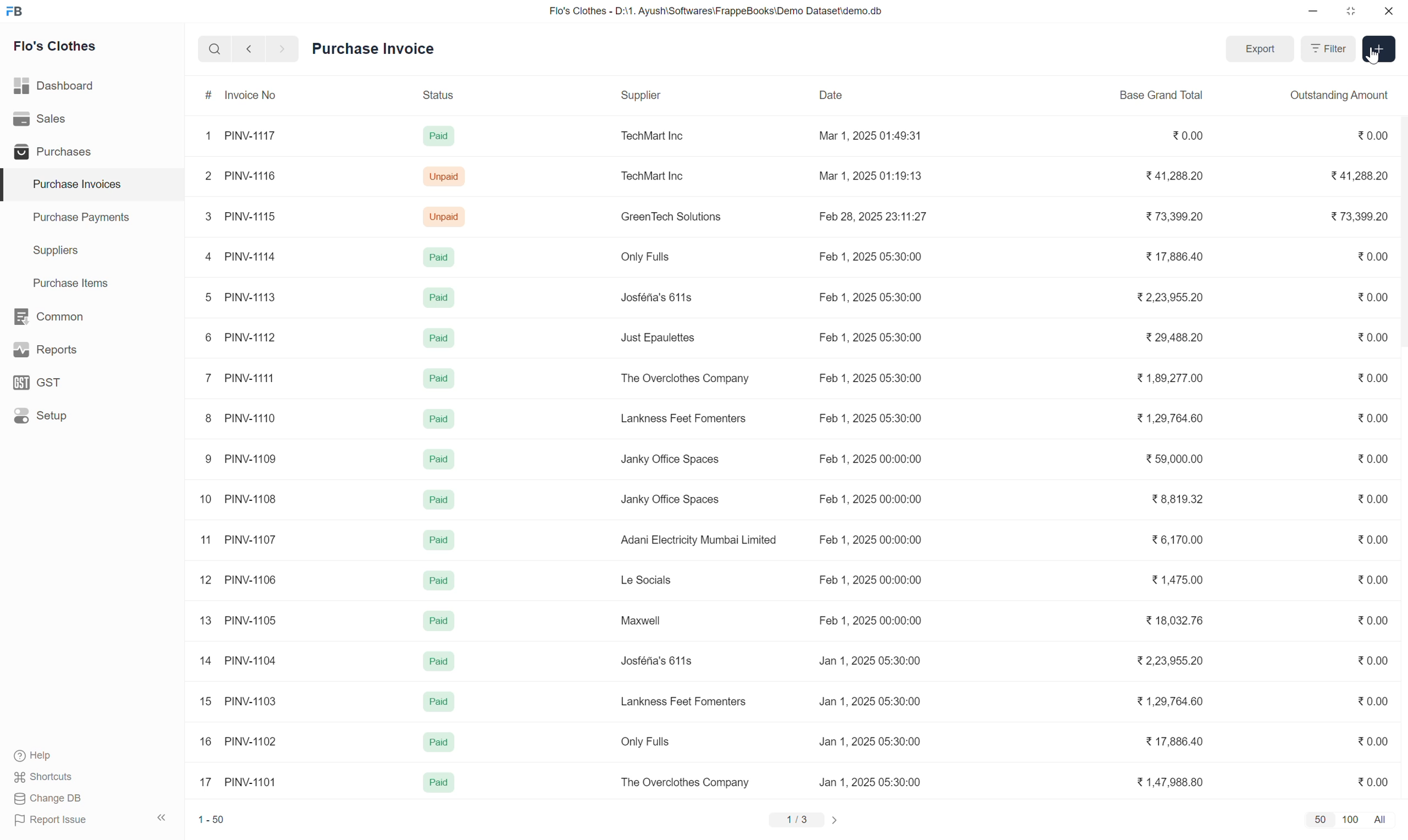 This screenshot has height=840, width=1408. Describe the element at coordinates (238, 740) in the screenshot. I see `16 PINV-1102` at that location.